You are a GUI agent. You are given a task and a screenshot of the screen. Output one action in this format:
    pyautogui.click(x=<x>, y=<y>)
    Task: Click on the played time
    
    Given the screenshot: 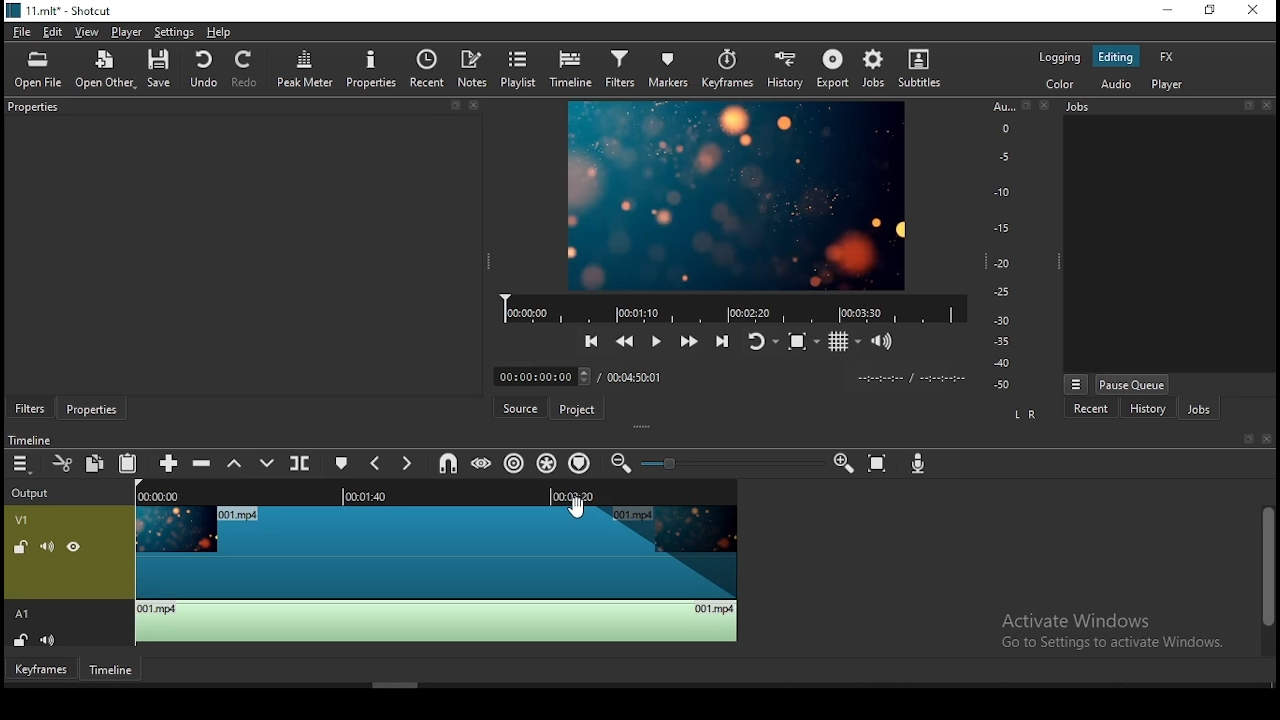 What is the action you would take?
    pyautogui.click(x=370, y=497)
    